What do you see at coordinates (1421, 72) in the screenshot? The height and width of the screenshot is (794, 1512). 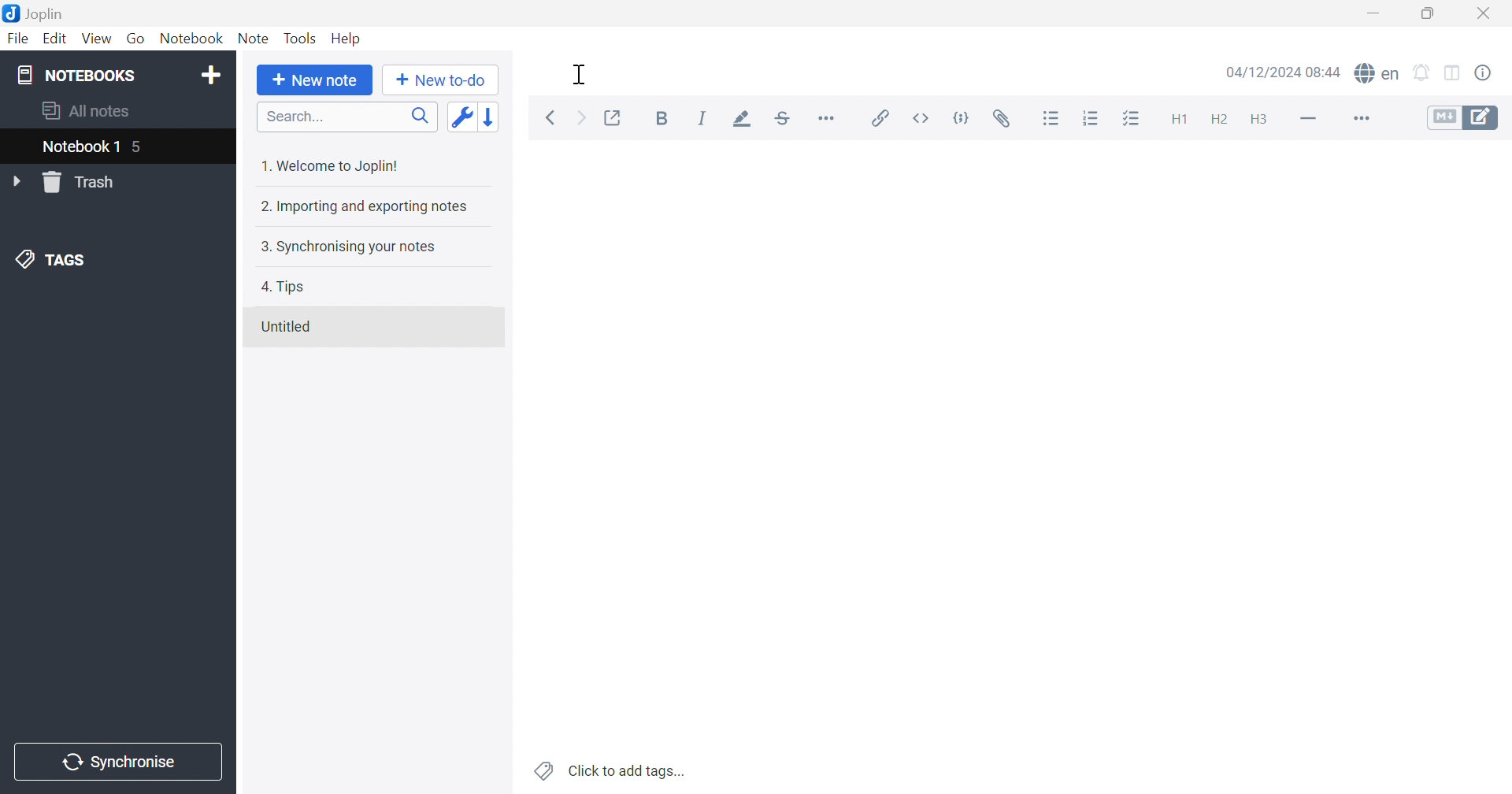 I see `Set alarm` at bounding box center [1421, 72].